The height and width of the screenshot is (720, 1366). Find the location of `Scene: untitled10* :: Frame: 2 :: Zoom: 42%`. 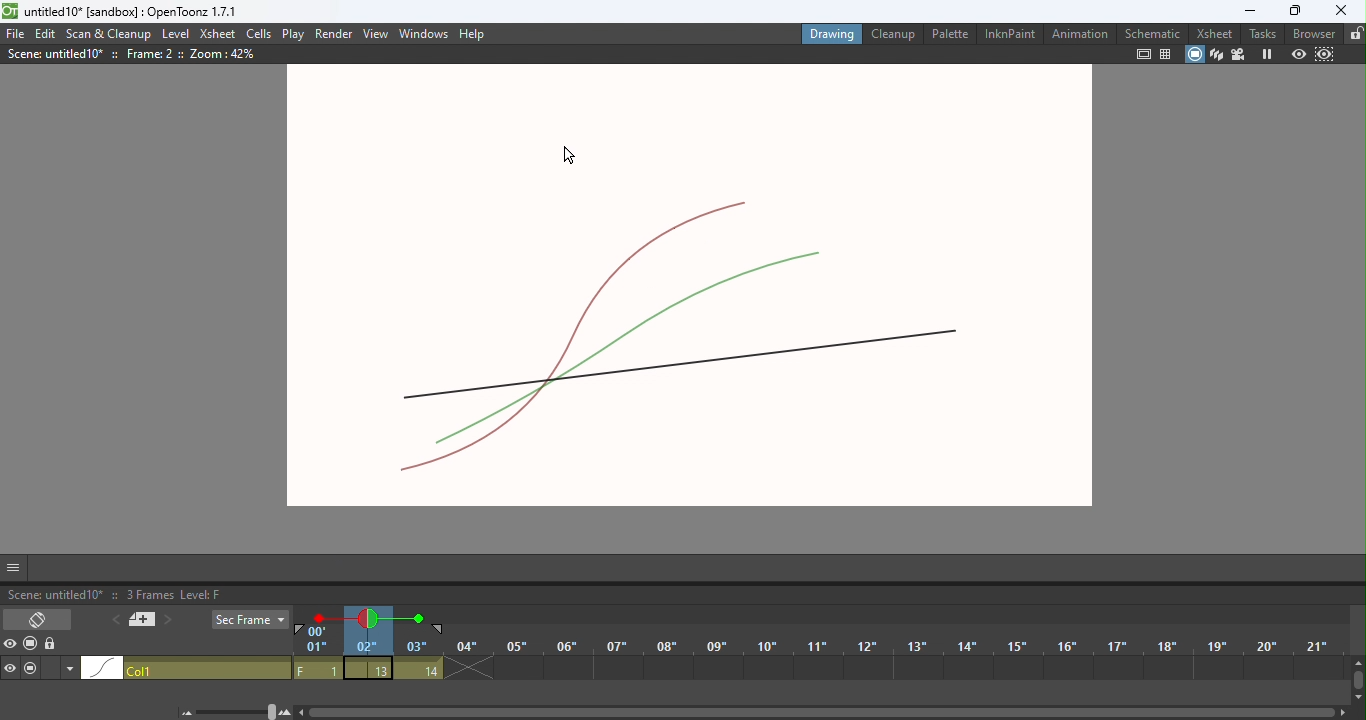

Scene: untitled10* :: Frame: 2 :: Zoom: 42% is located at coordinates (130, 54).